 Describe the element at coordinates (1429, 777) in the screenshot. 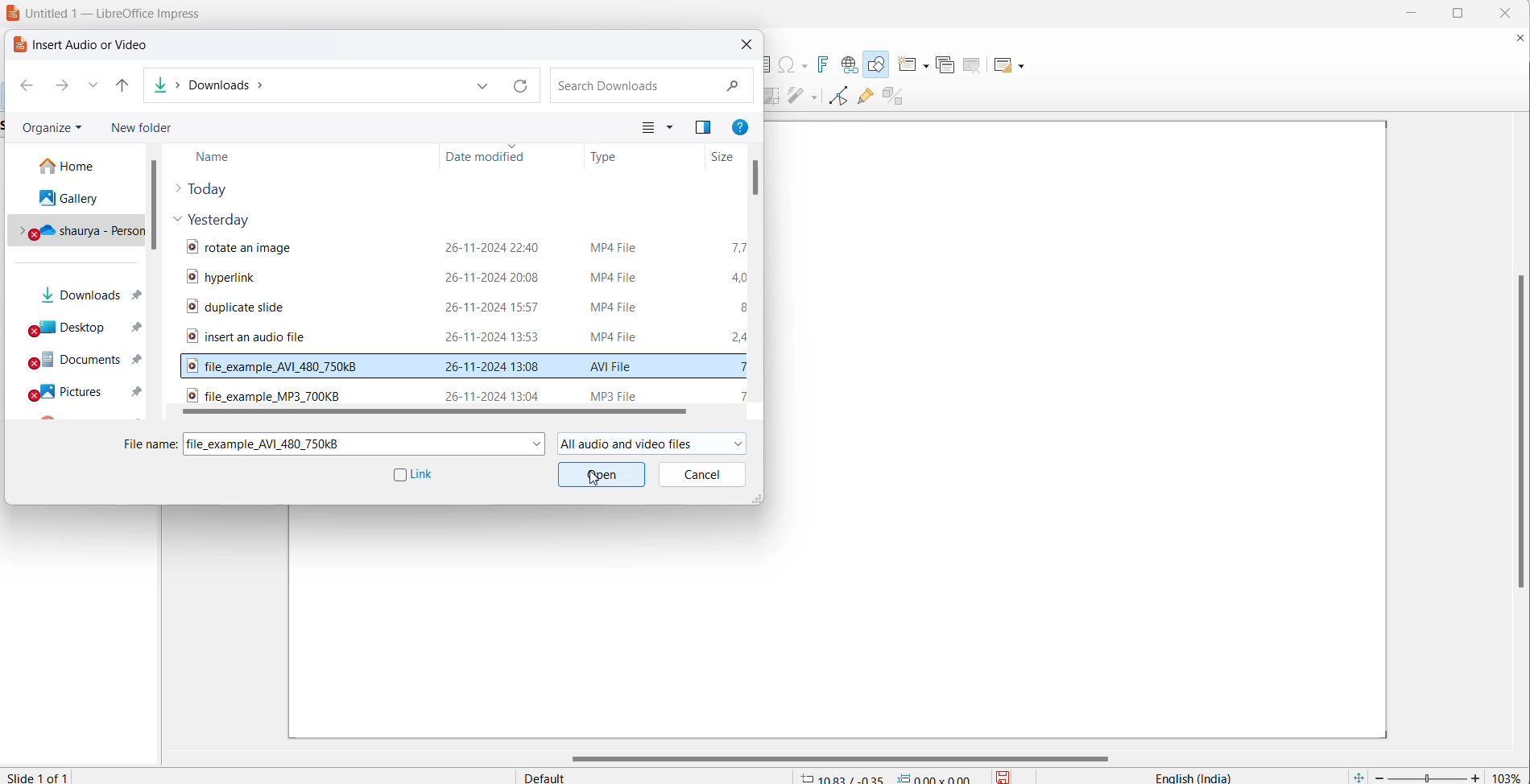

I see `zoom slide` at that location.